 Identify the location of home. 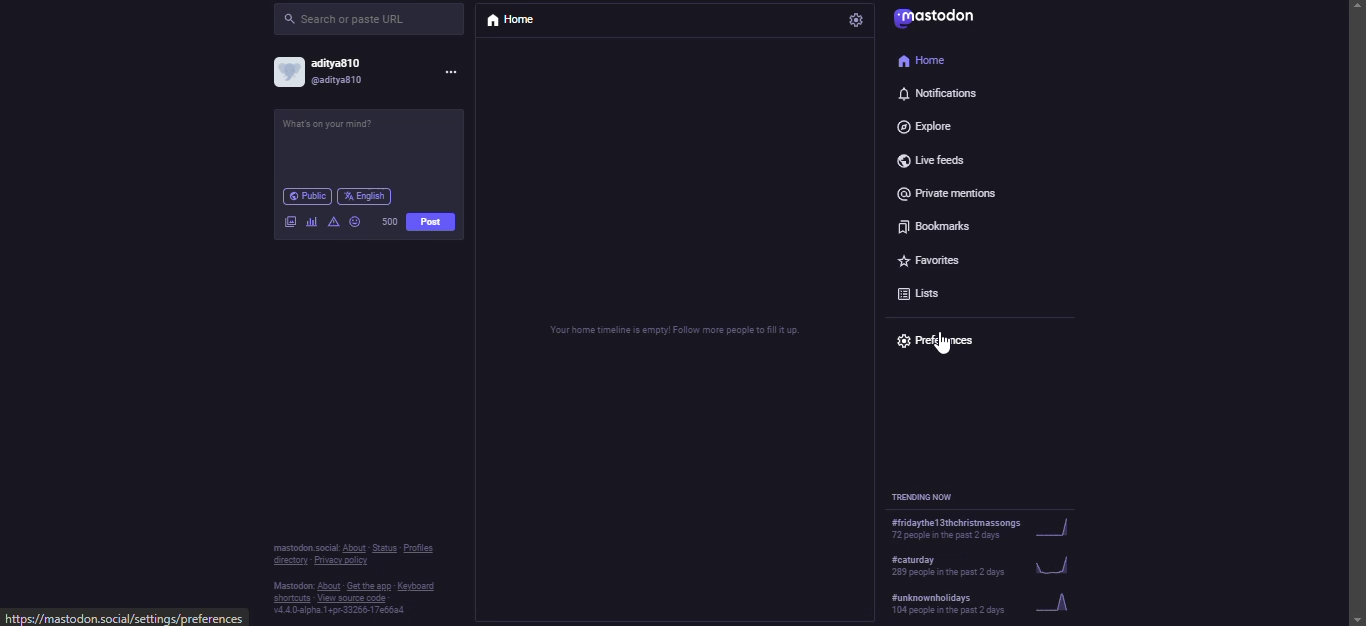
(521, 21).